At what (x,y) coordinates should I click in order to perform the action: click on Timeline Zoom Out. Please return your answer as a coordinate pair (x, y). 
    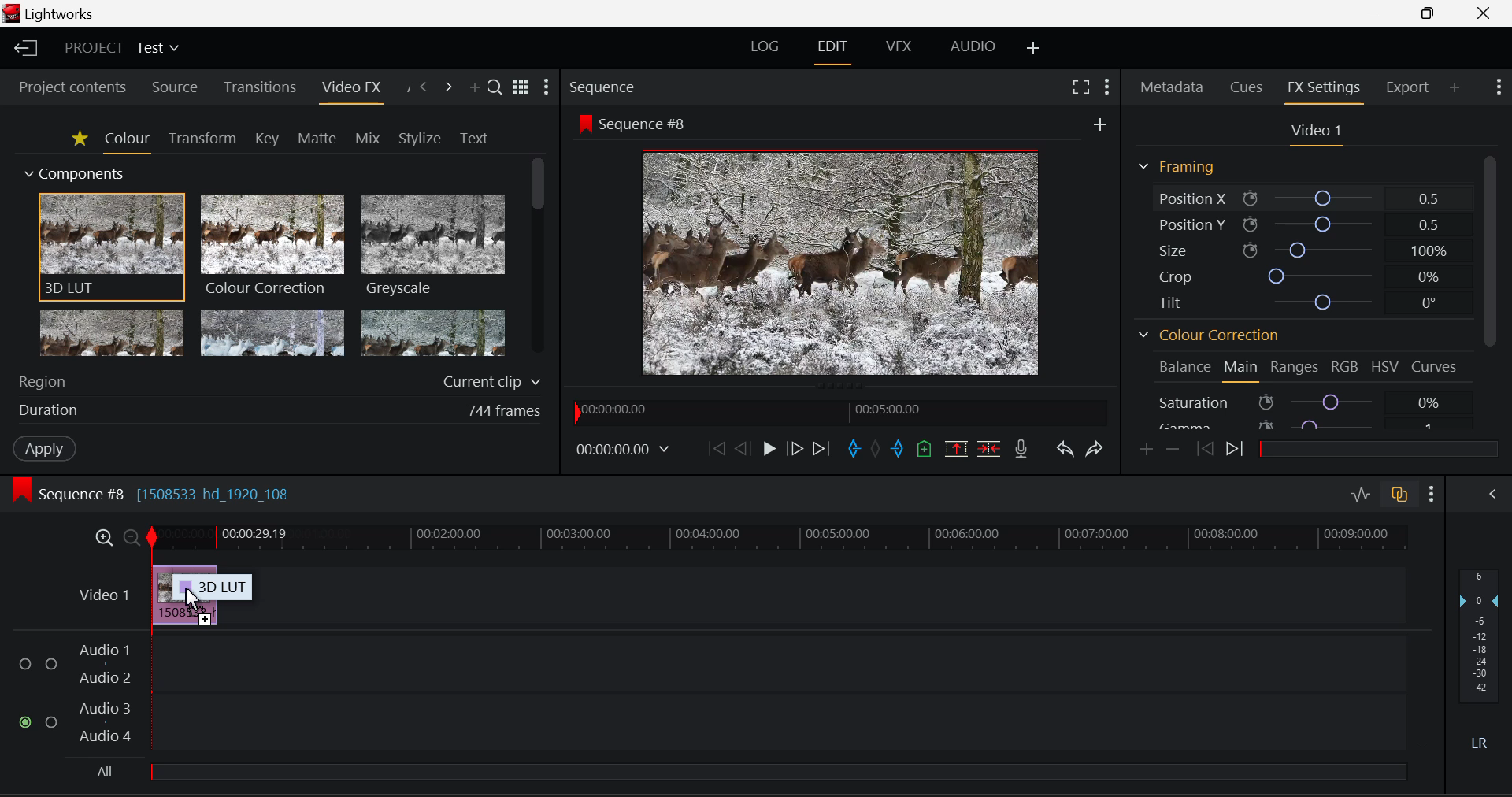
    Looking at the image, I should click on (131, 537).